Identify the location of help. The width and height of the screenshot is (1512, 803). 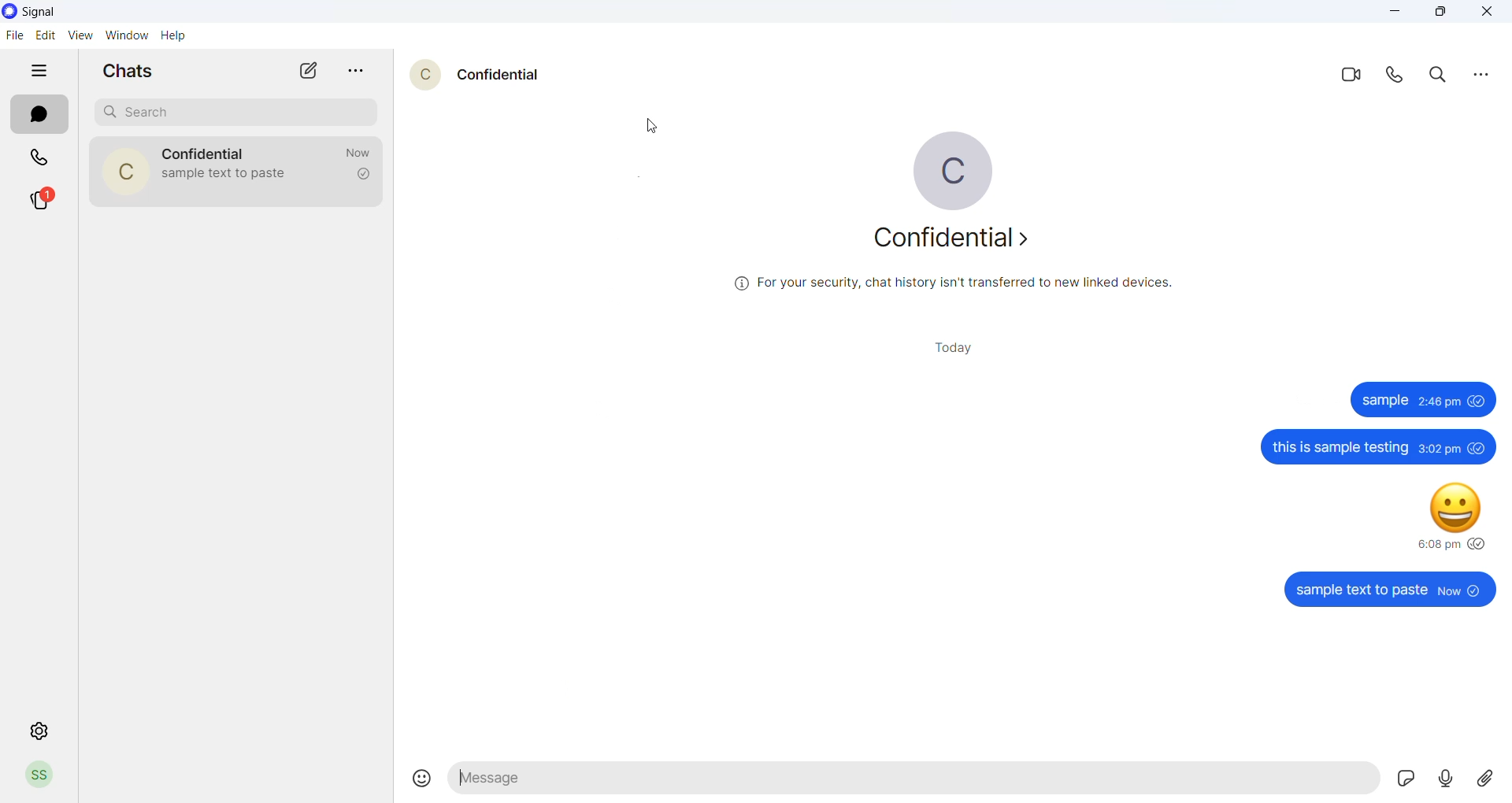
(176, 37).